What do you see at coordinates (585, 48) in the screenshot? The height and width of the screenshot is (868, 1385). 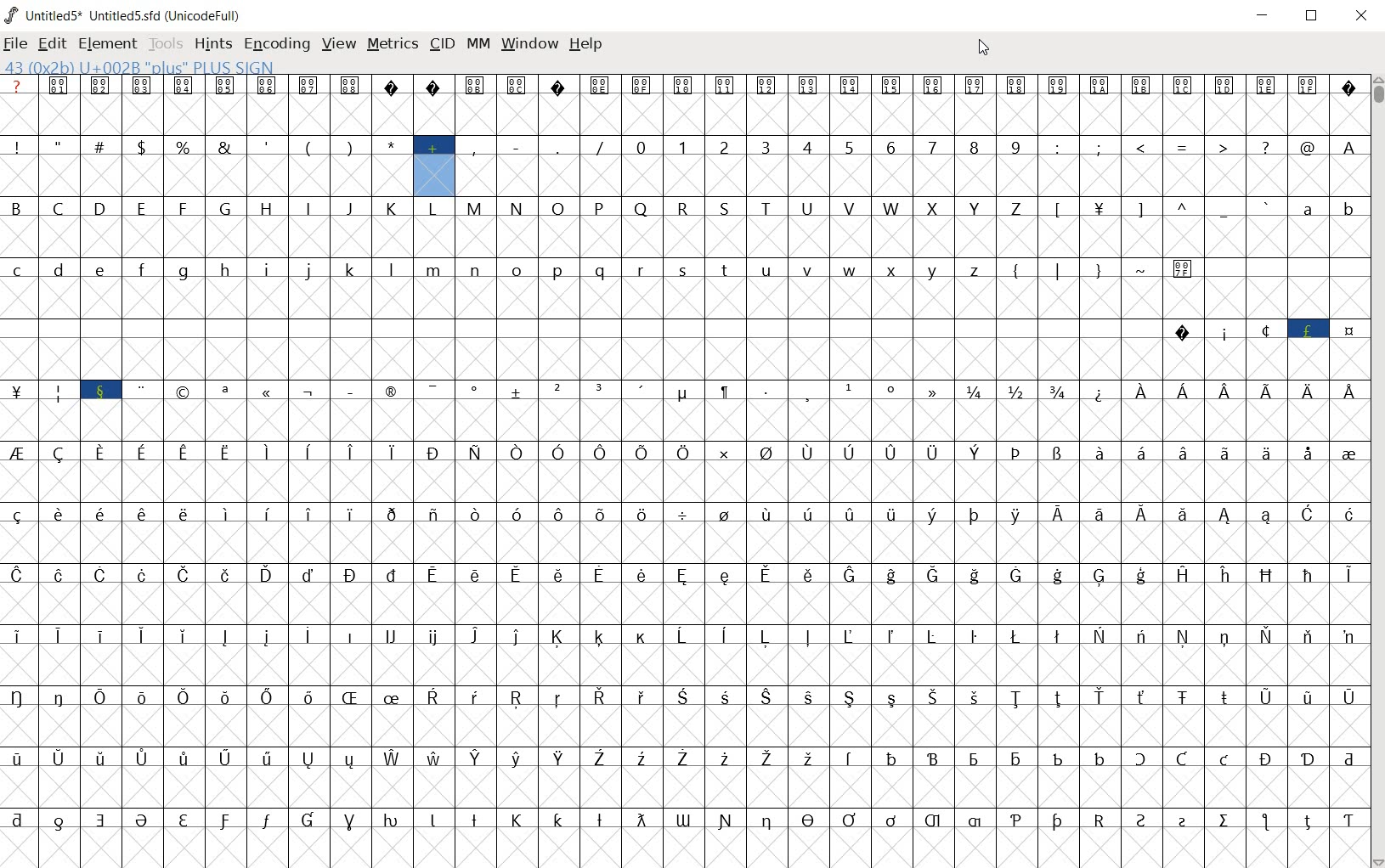 I see `help` at bounding box center [585, 48].